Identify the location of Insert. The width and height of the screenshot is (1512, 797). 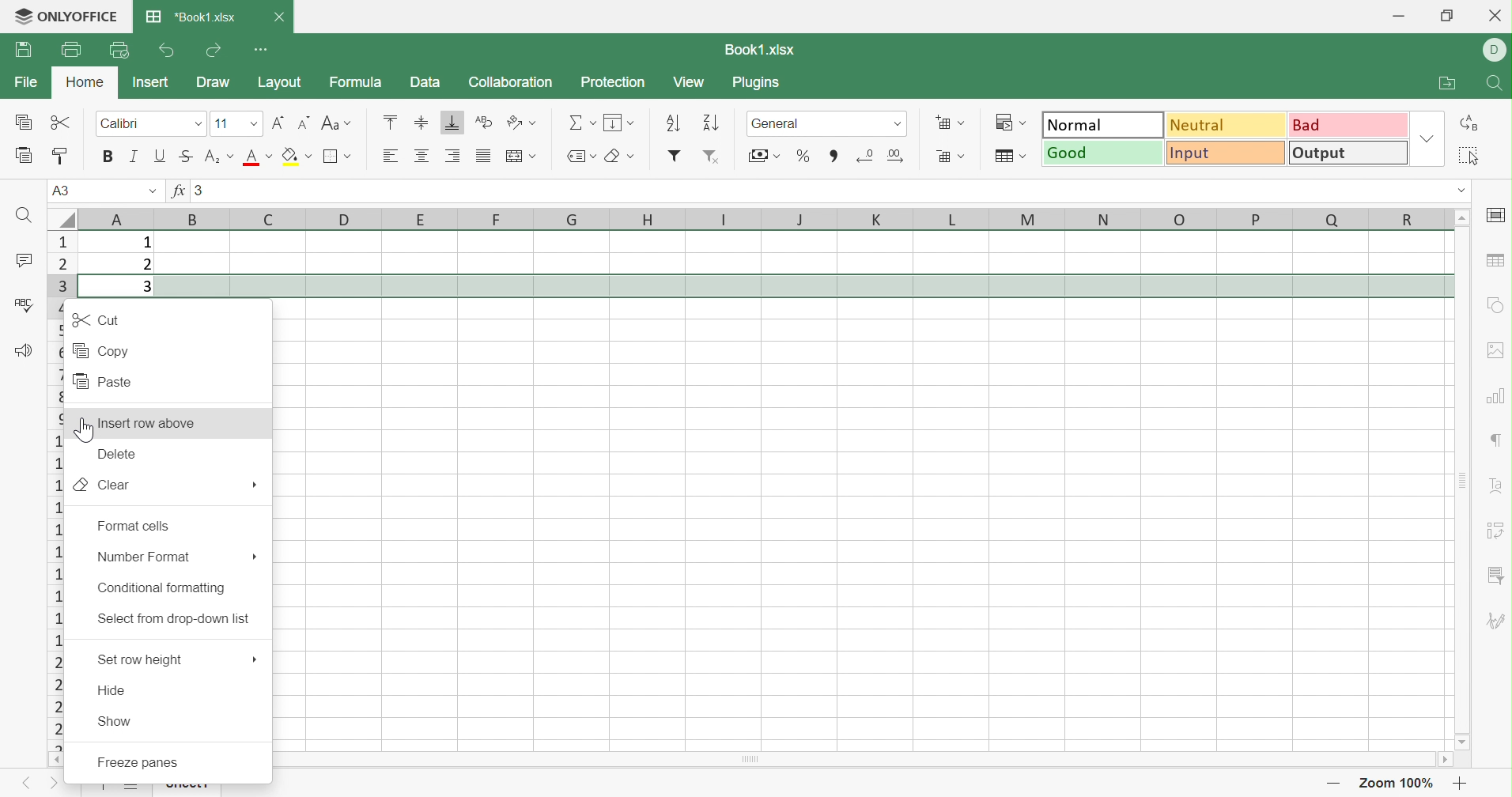
(151, 82).